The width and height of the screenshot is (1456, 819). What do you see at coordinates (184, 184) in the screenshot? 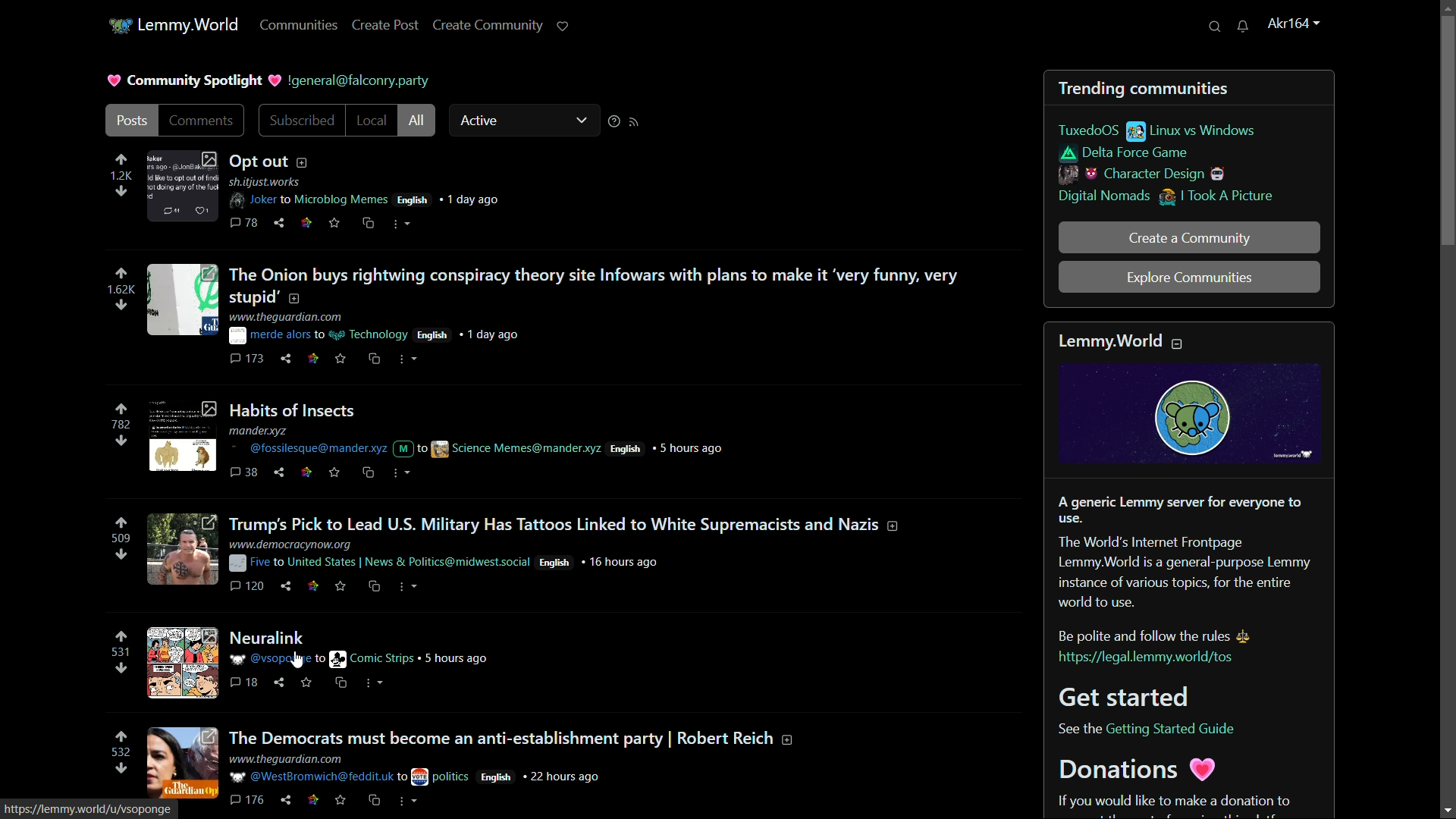
I see `image` at bounding box center [184, 184].